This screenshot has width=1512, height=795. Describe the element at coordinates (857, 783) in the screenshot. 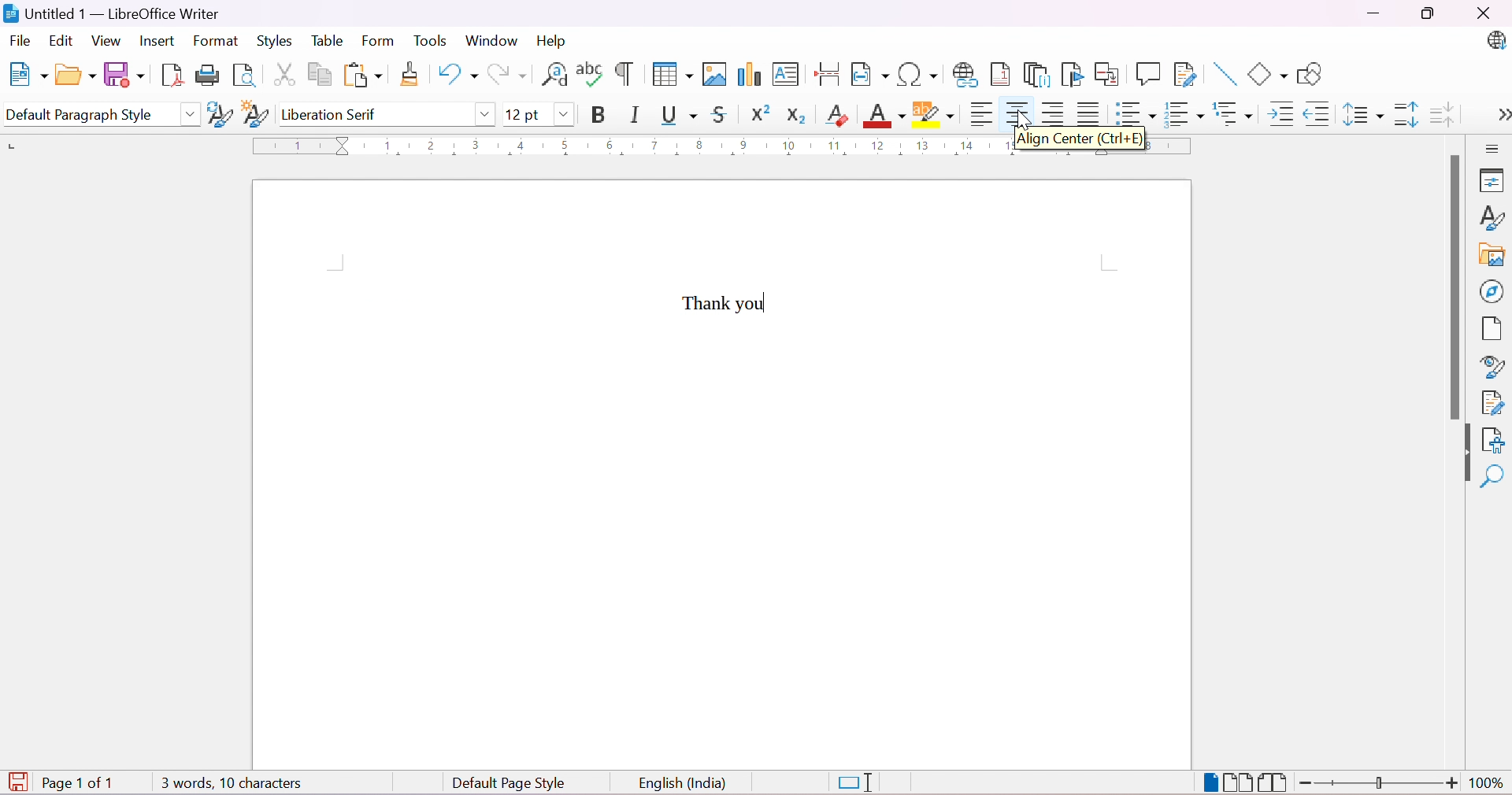

I see `Standard Selection. Click to change selection mode.` at that location.